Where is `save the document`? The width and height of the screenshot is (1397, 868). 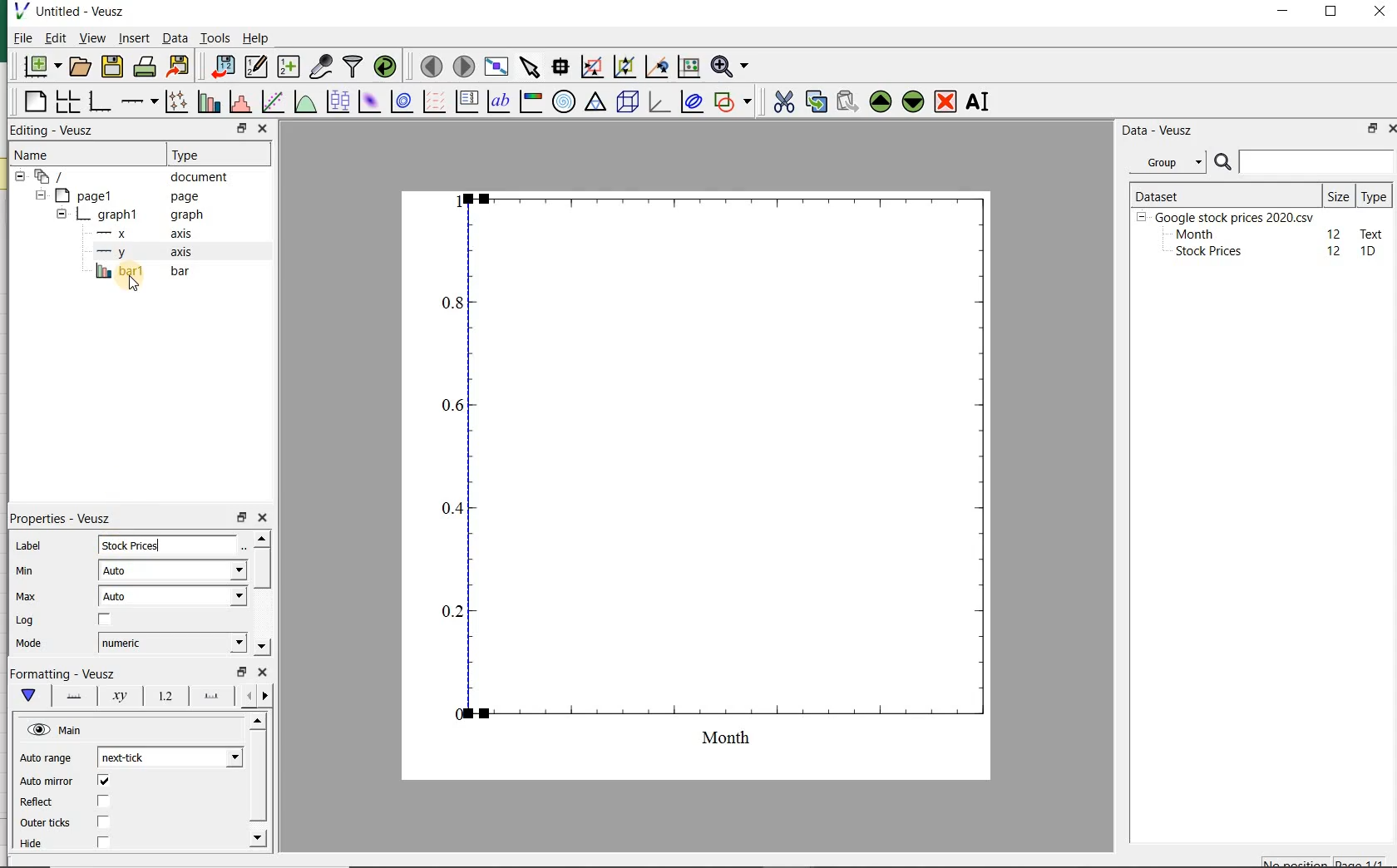
save the document is located at coordinates (112, 67).